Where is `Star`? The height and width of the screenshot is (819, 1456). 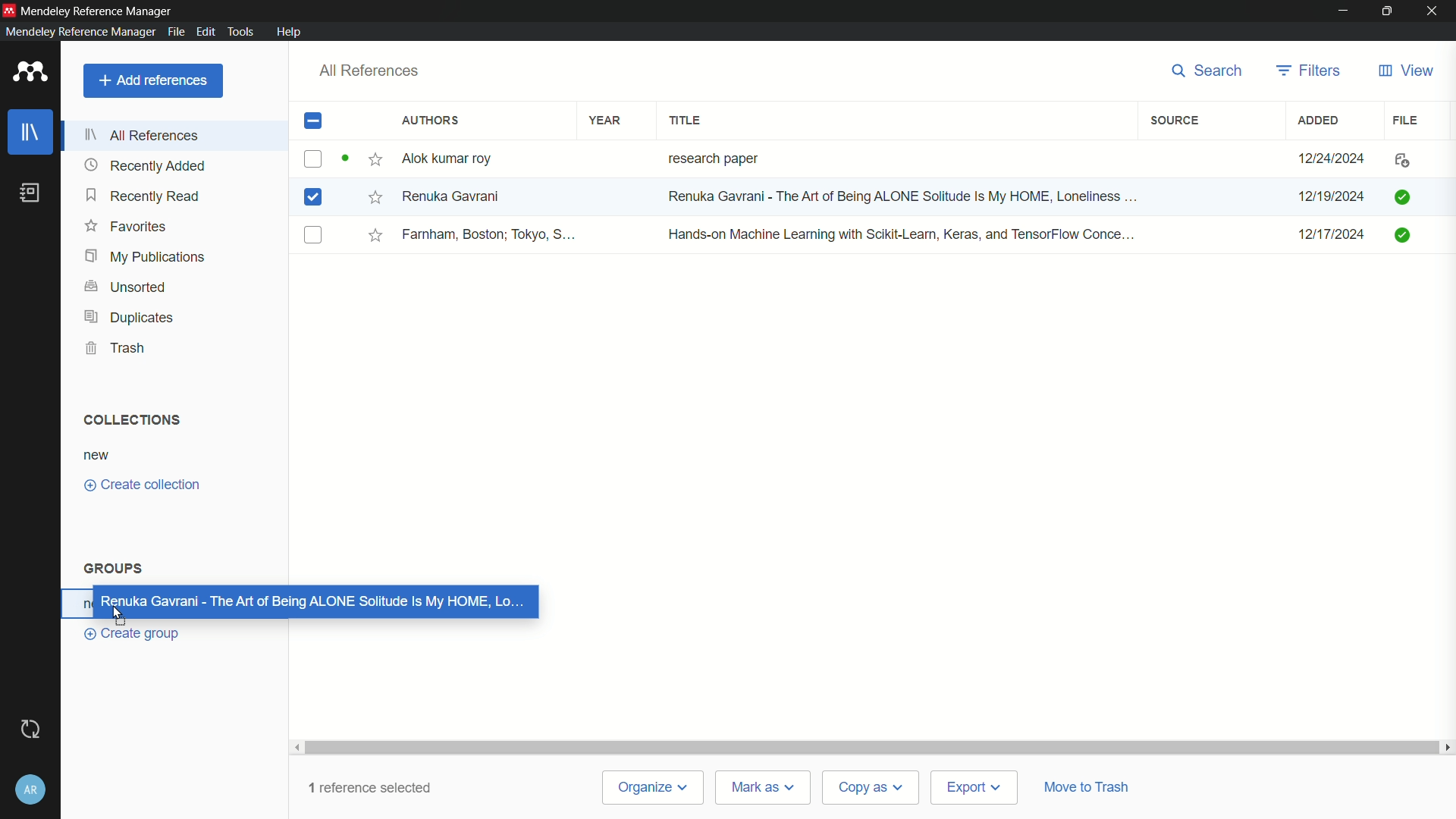 Star is located at coordinates (362, 160).